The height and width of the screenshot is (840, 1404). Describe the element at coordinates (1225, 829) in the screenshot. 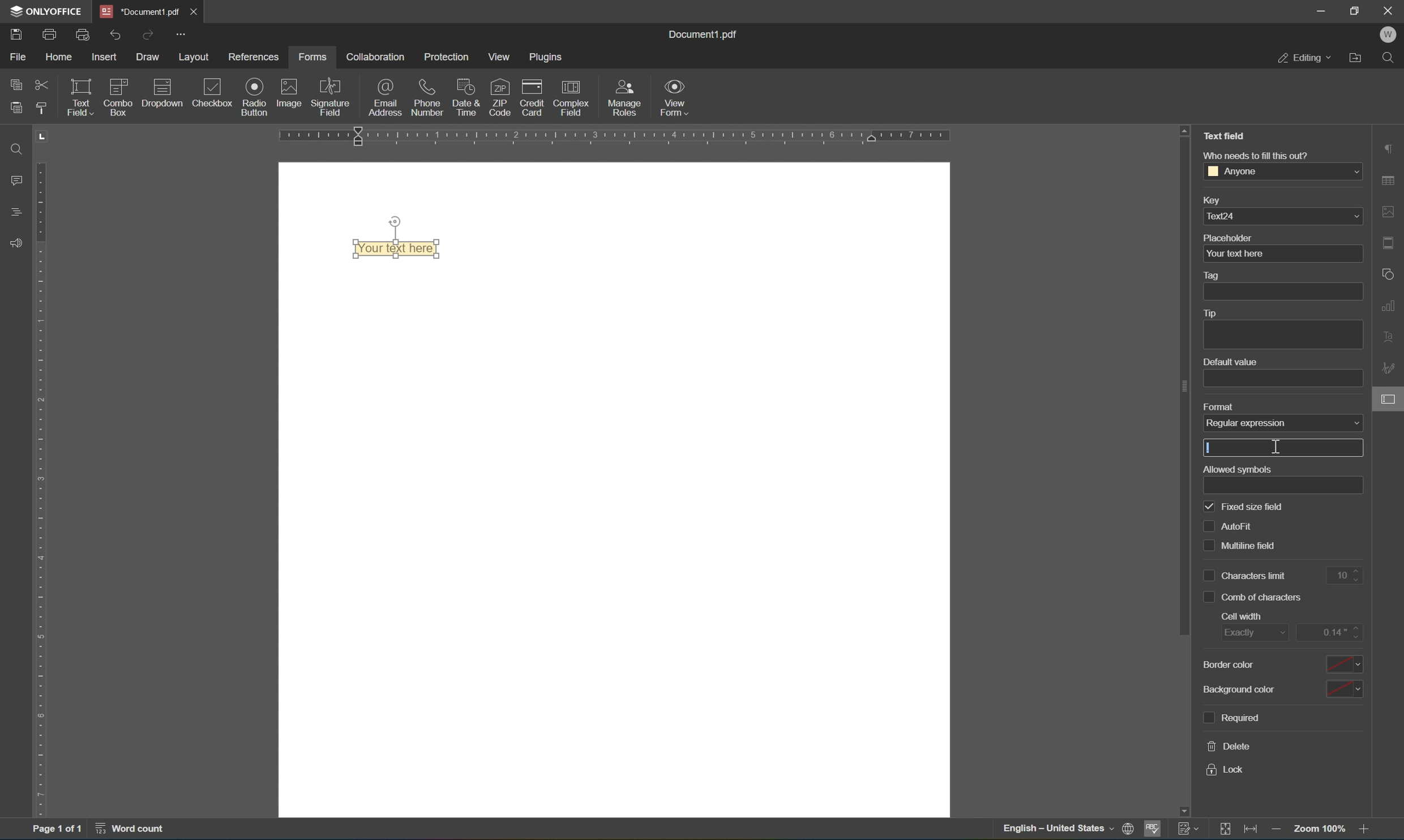

I see `fit to page` at that location.